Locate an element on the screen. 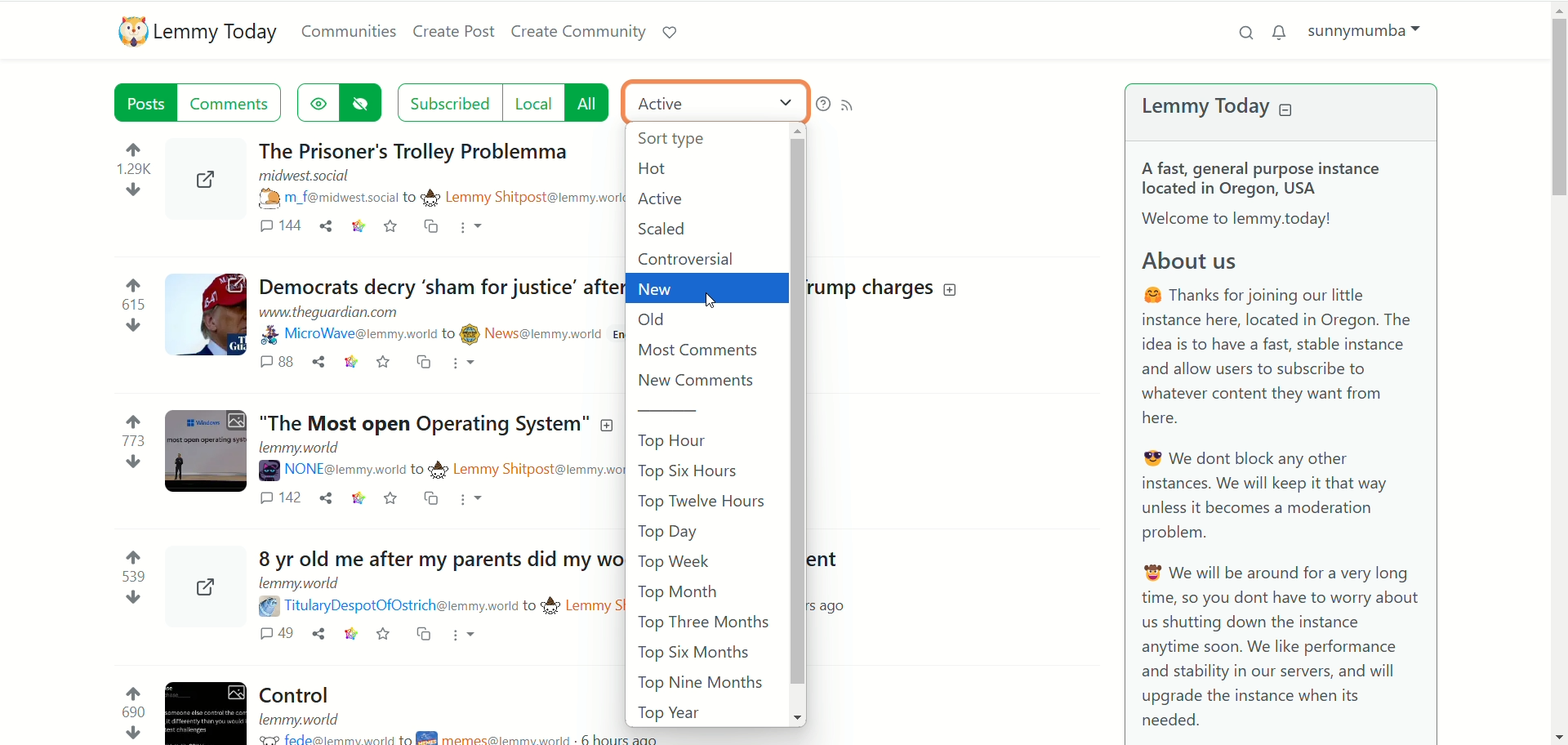 The image size is (1568, 745). MicroWave@lemmy.world to News@lemmy.world is located at coordinates (433, 335).